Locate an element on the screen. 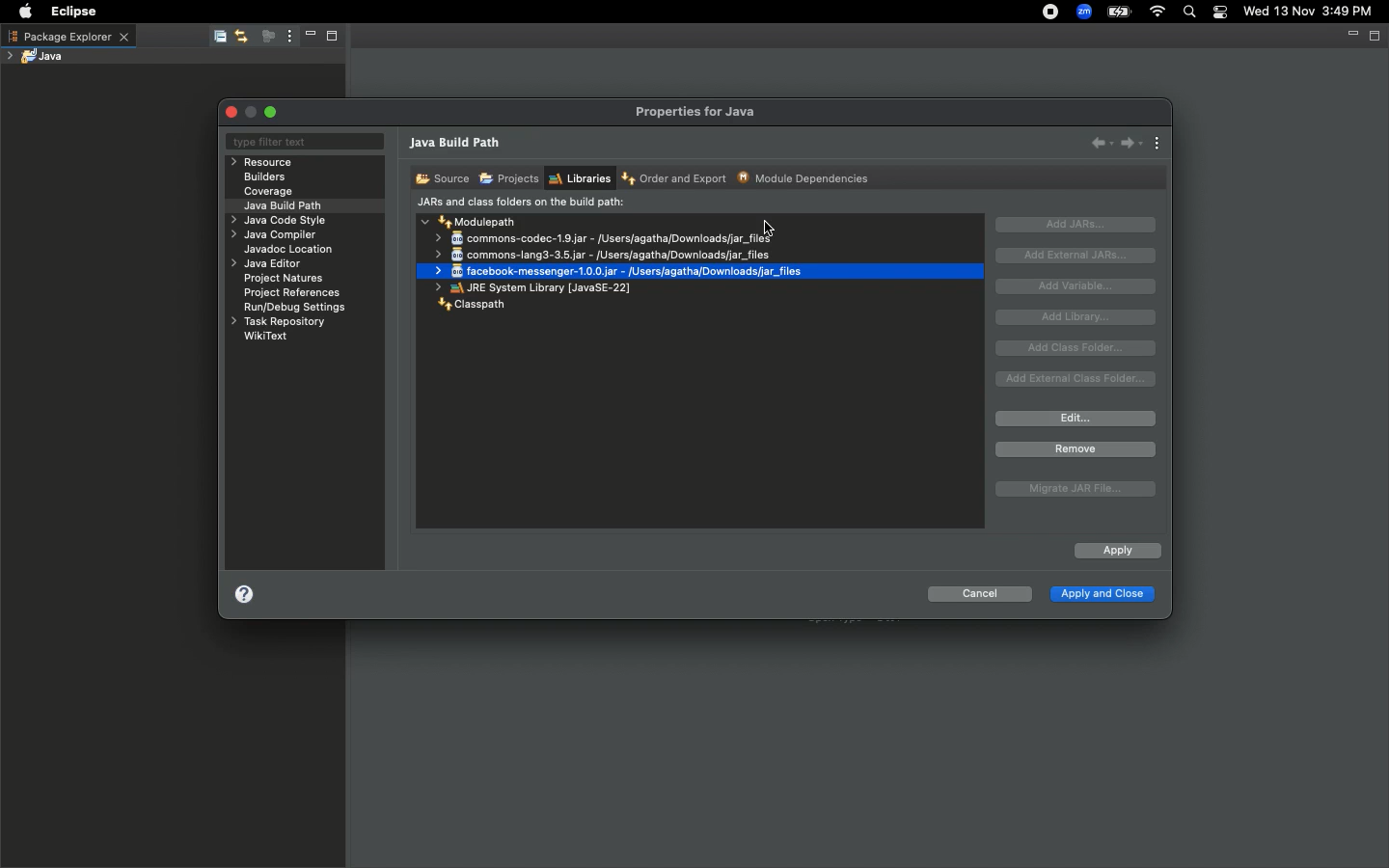 Image resolution: width=1389 pixels, height=868 pixels. Remove is located at coordinates (1076, 449).